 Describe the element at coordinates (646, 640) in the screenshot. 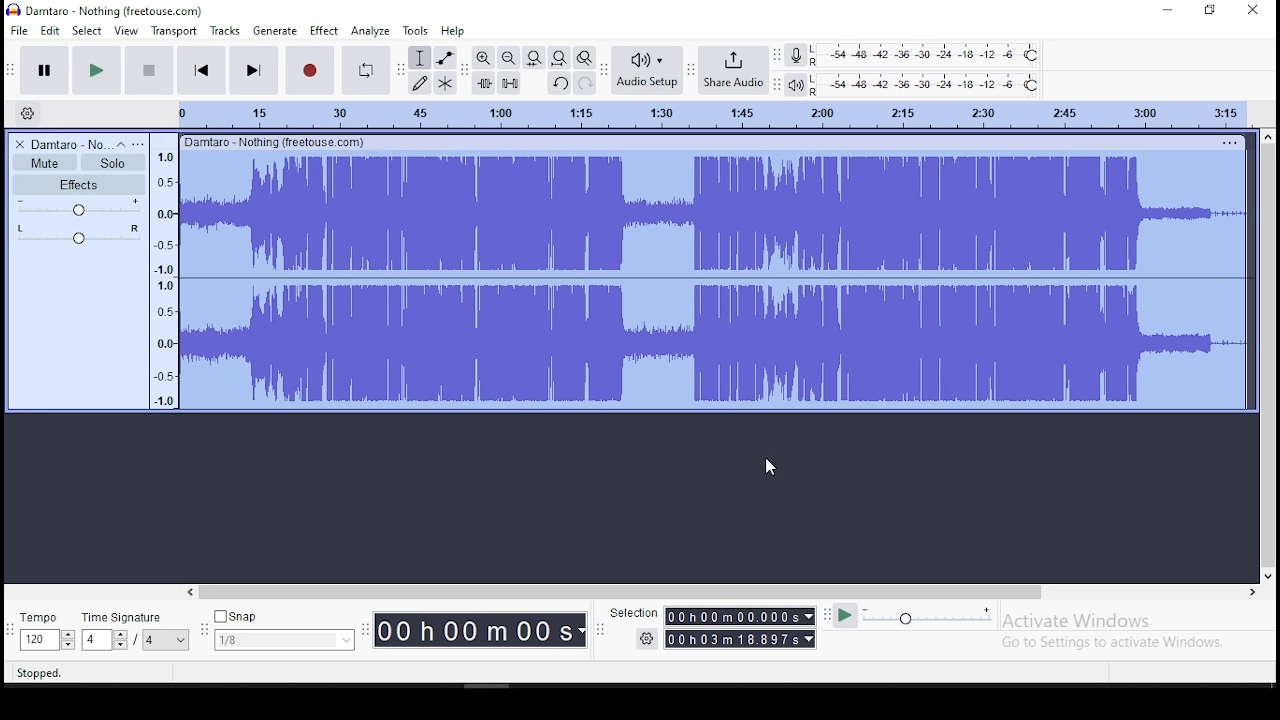

I see `settings` at that location.